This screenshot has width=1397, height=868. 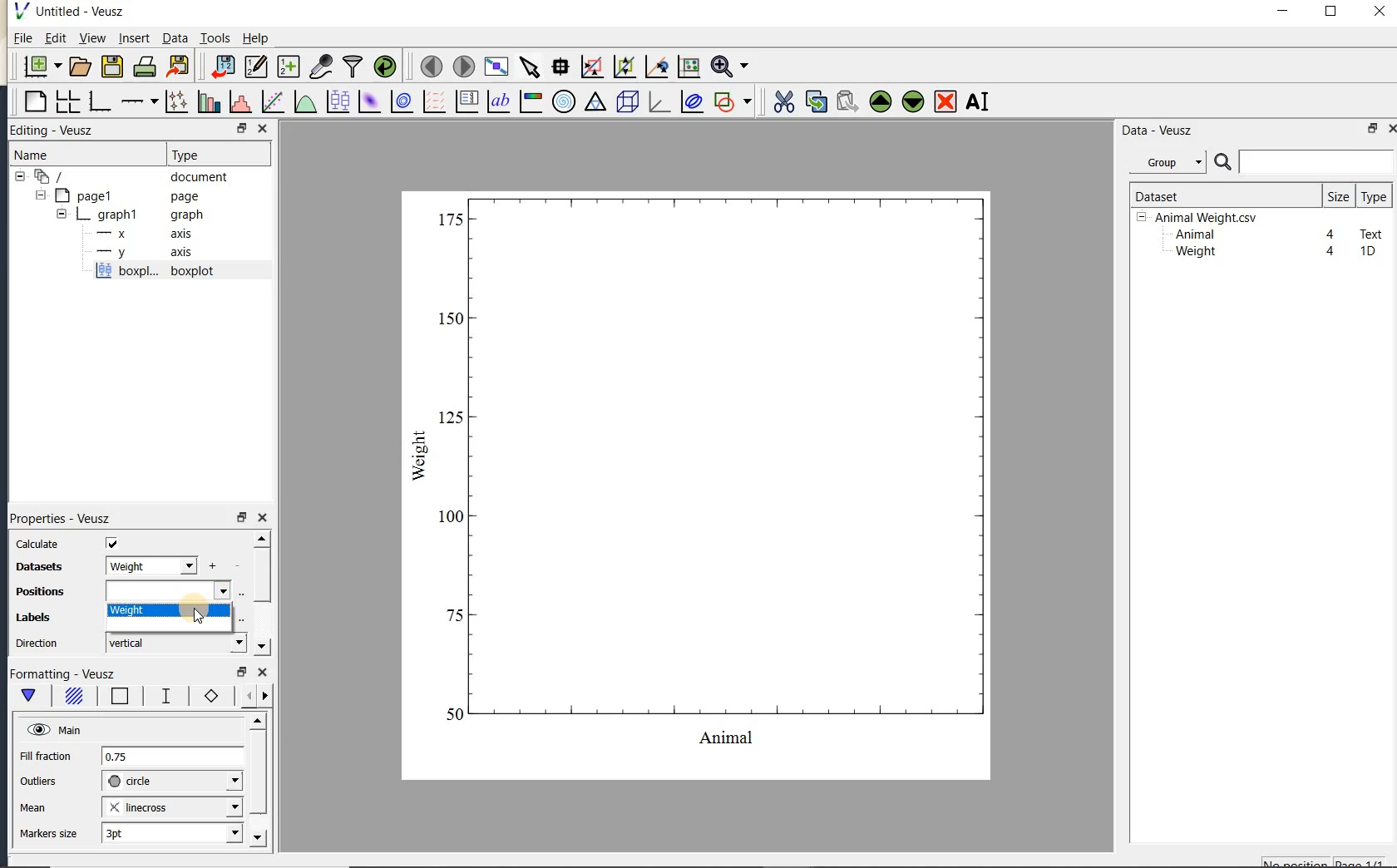 What do you see at coordinates (560, 67) in the screenshot?
I see `read data points on the graph` at bounding box center [560, 67].